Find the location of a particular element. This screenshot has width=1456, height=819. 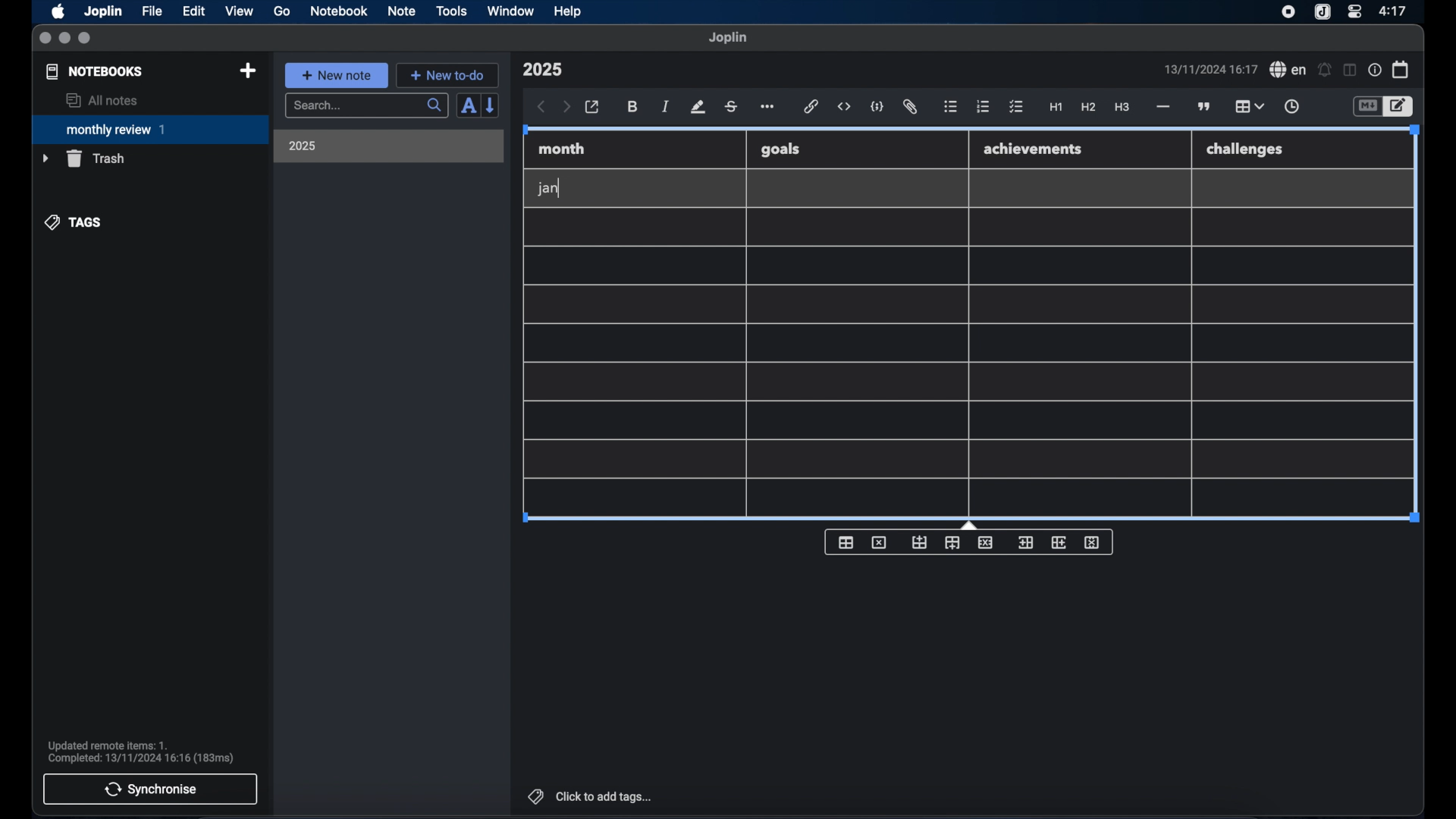

sort order field is located at coordinates (468, 106).